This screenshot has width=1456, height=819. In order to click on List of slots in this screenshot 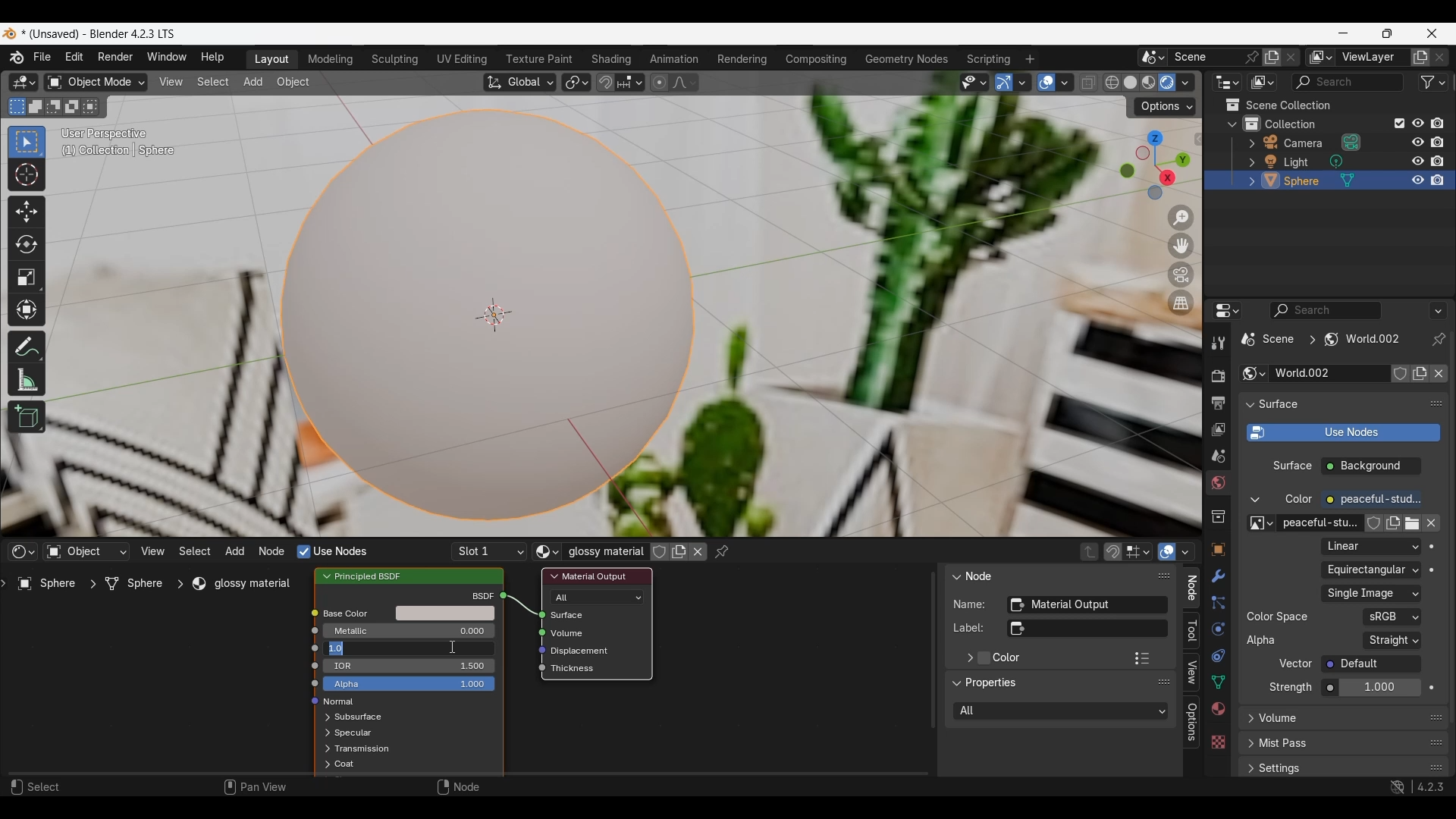, I will do `click(489, 552)`.